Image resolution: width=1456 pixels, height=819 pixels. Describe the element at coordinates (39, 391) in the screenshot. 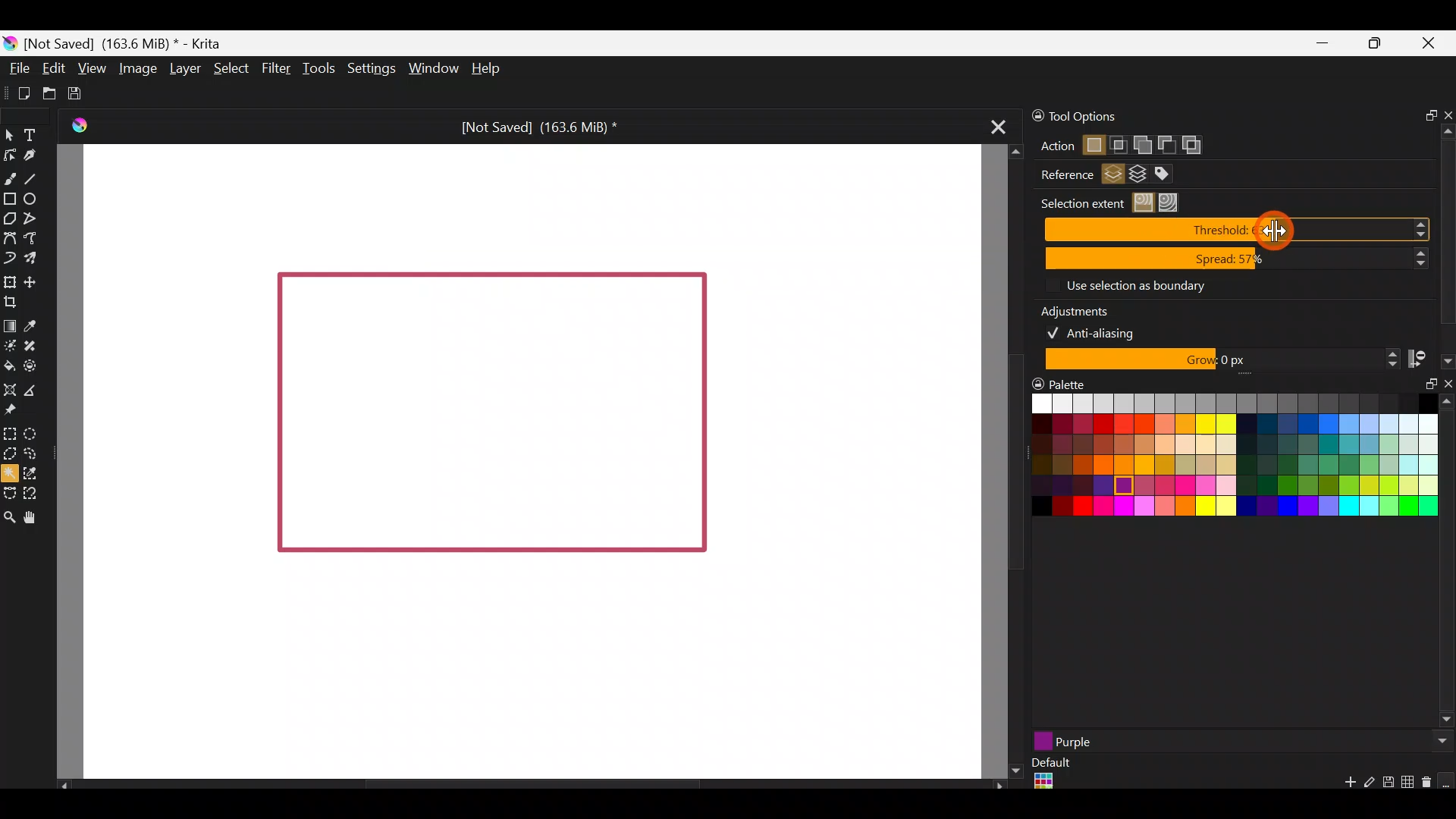

I see `Measure the distance between two points` at that location.